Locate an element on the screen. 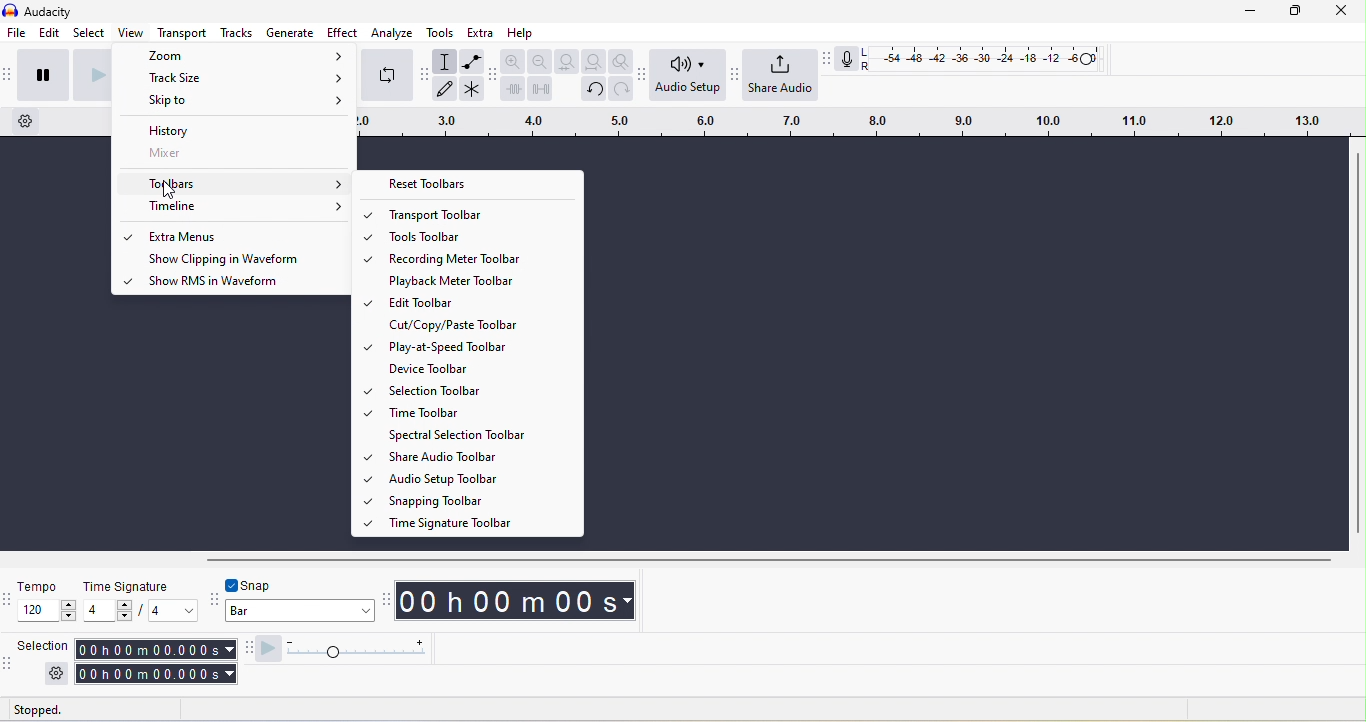  share audio toolbar is located at coordinates (733, 73).